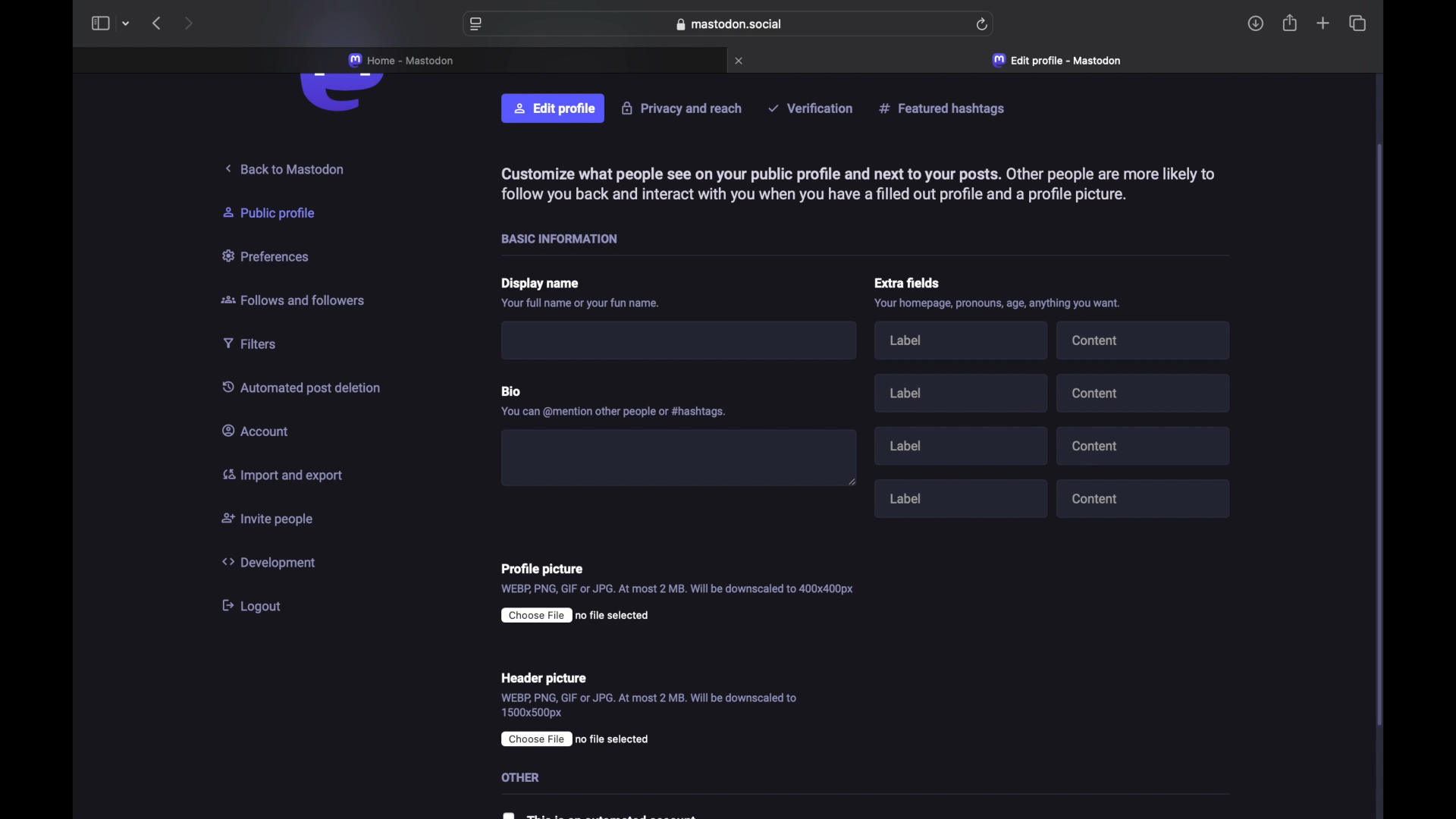 The image size is (1456, 819). What do you see at coordinates (554, 109) in the screenshot?
I see `edit profile` at bounding box center [554, 109].